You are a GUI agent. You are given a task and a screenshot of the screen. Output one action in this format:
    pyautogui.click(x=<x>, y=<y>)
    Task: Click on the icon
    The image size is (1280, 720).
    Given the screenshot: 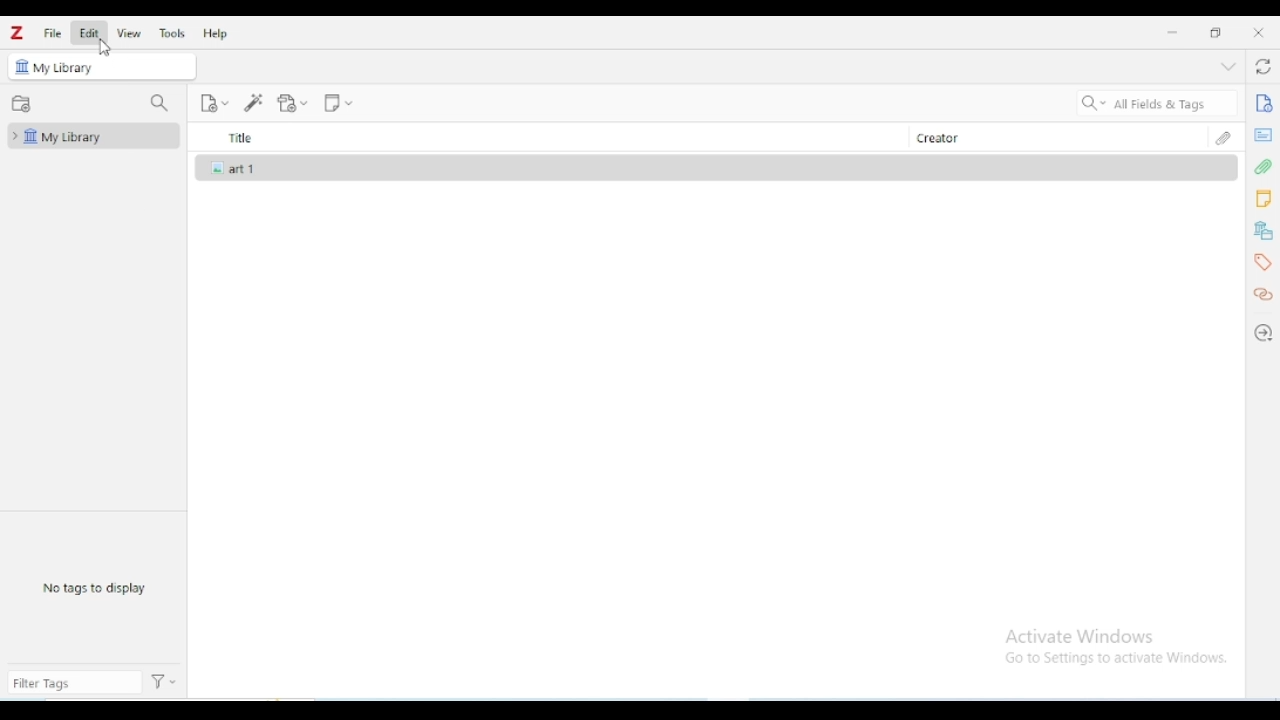 What is the action you would take?
    pyautogui.click(x=219, y=168)
    